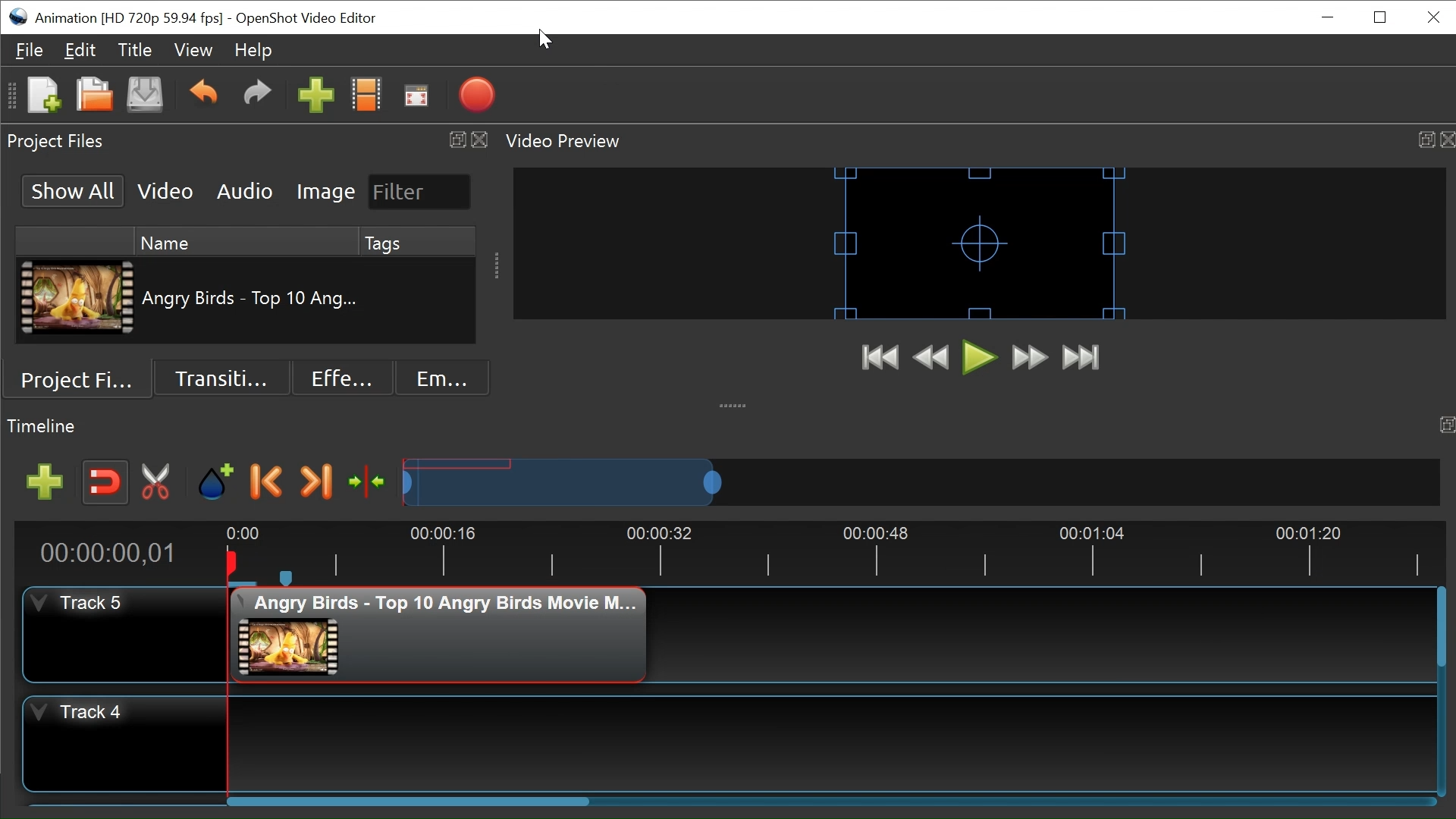 Image resolution: width=1456 pixels, height=819 pixels. I want to click on Video Preview Panel, so click(979, 141).